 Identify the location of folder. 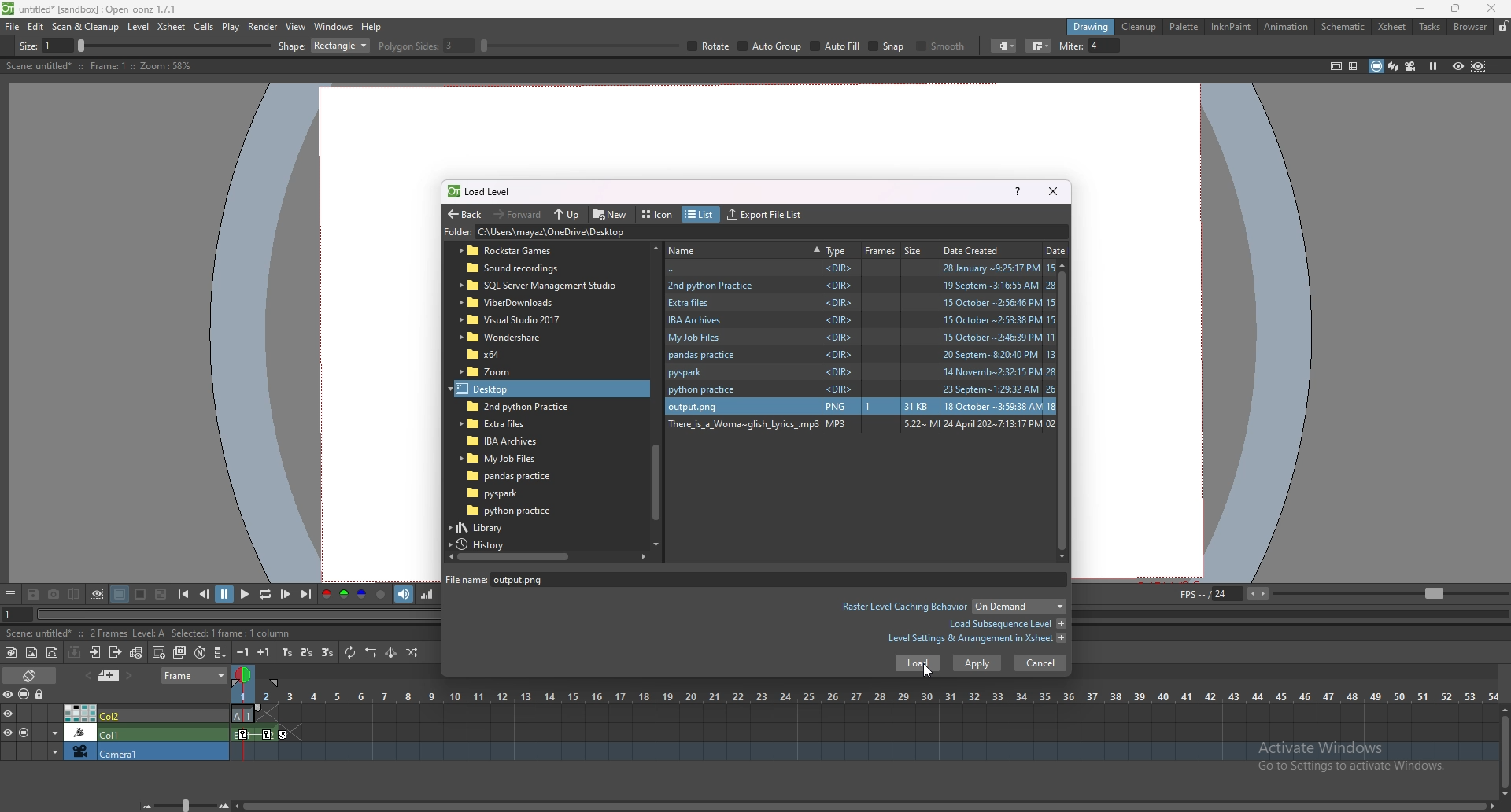
(862, 372).